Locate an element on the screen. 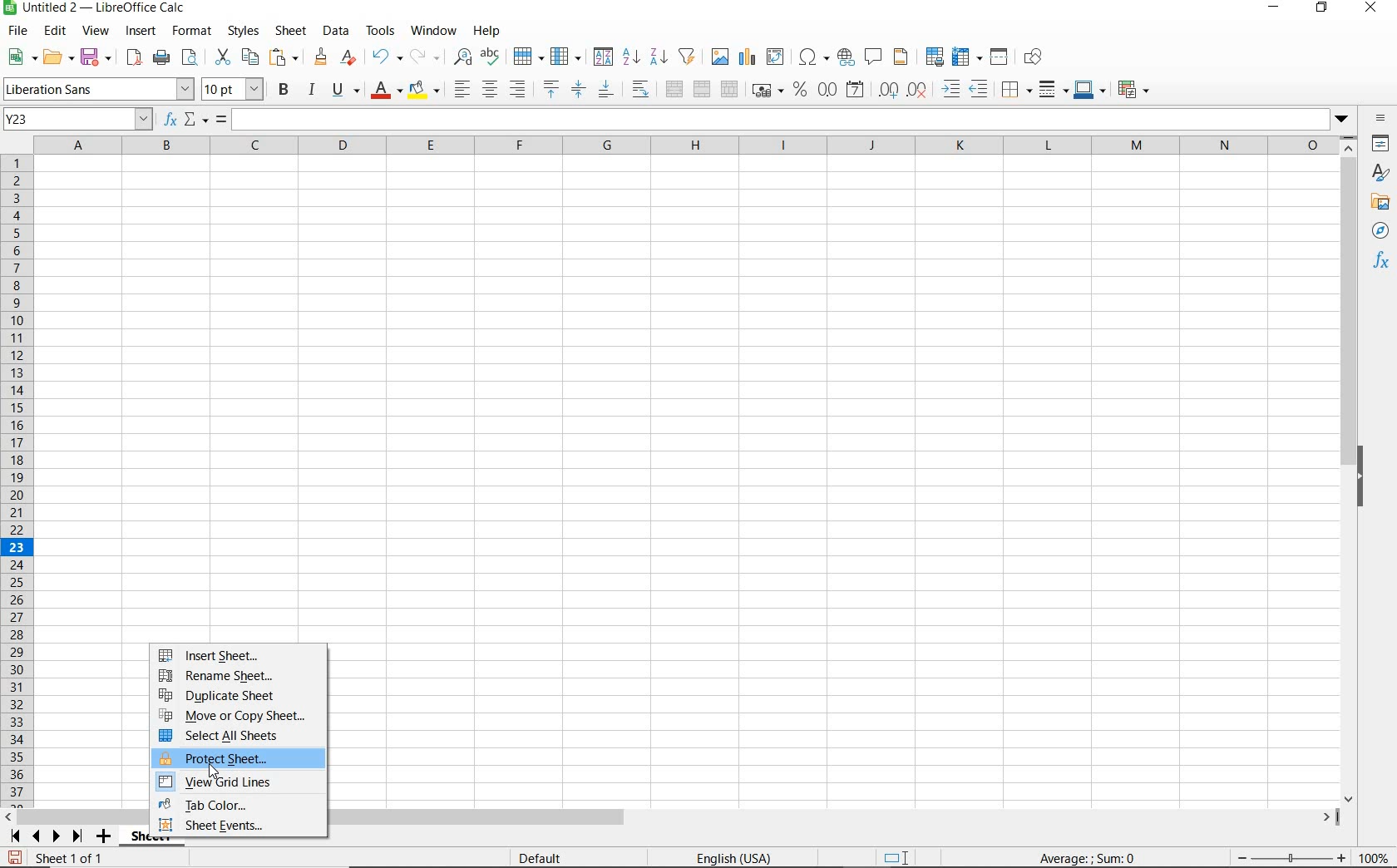 The height and width of the screenshot is (868, 1397). INCREASE INDENT is located at coordinates (951, 91).